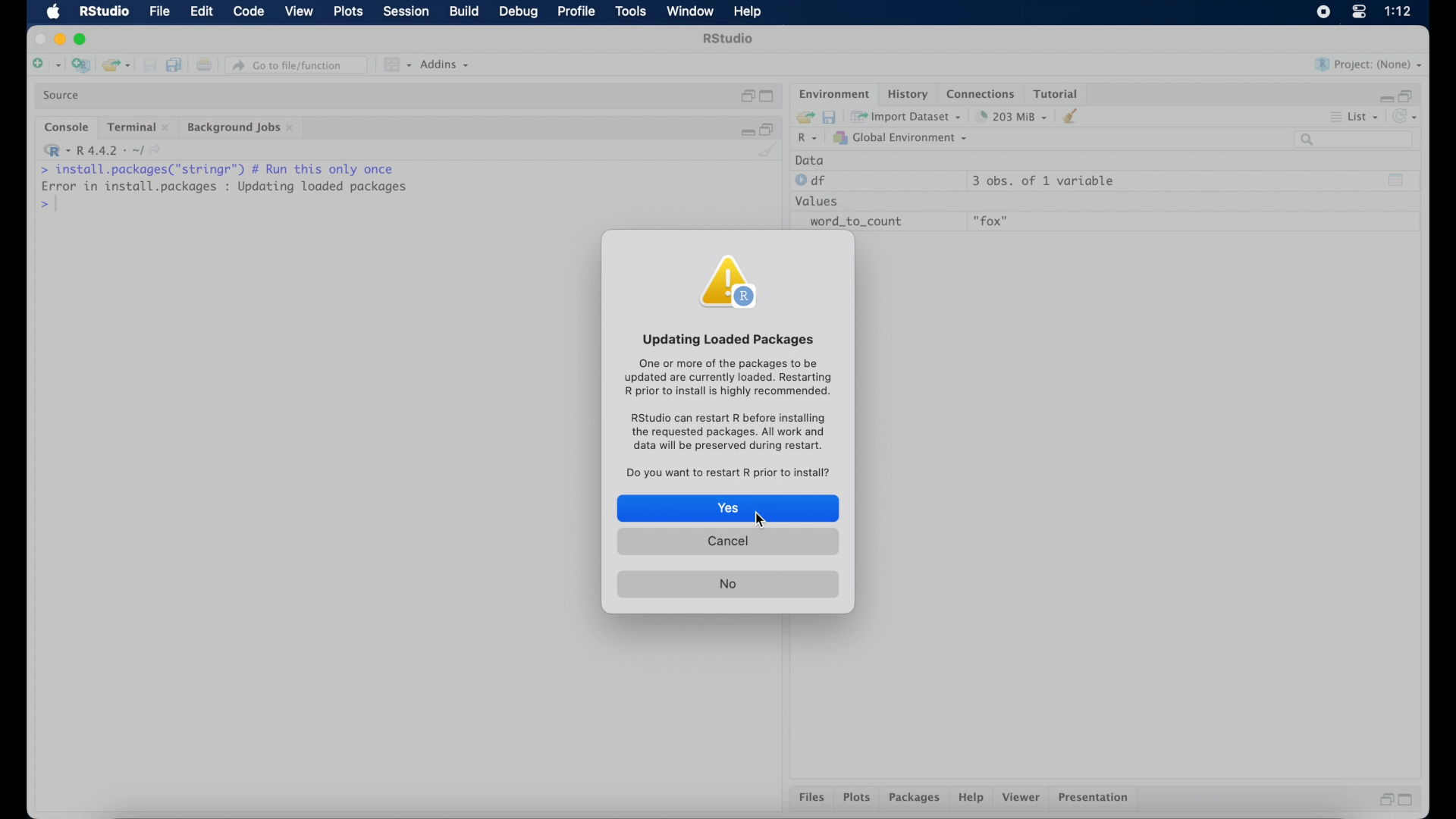 The image size is (1456, 819). I want to click on background jobs, so click(242, 129).